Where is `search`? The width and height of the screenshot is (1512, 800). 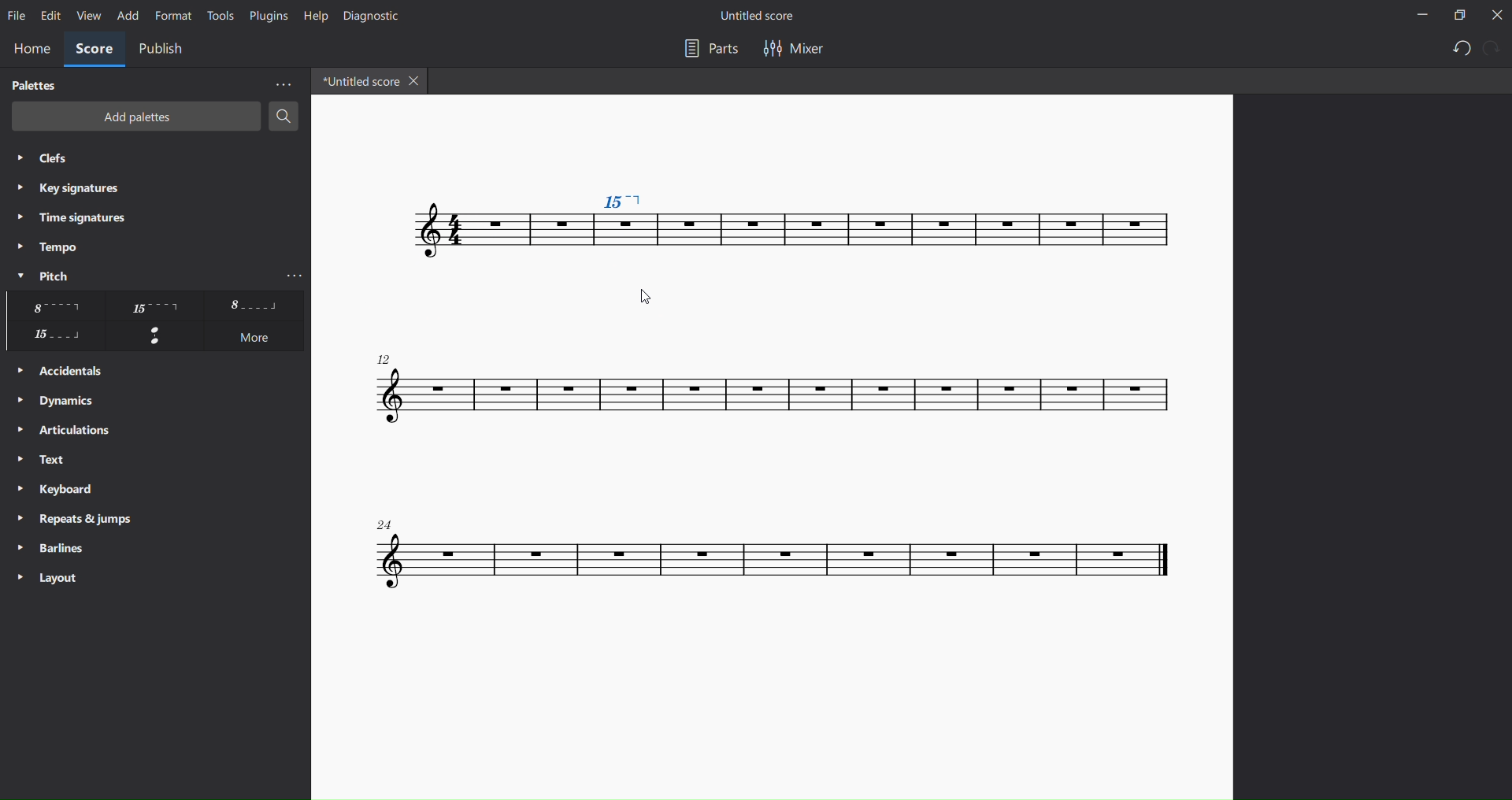
search is located at coordinates (284, 117).